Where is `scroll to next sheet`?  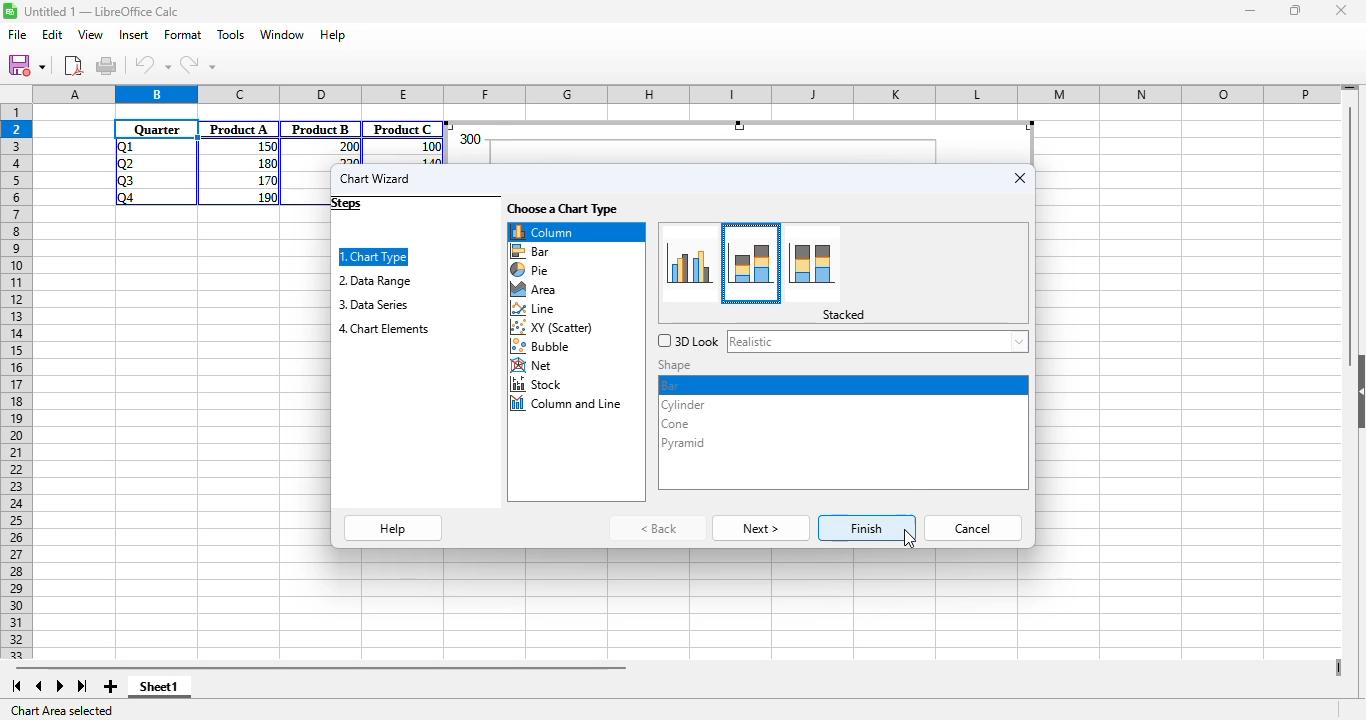
scroll to next sheet is located at coordinates (60, 686).